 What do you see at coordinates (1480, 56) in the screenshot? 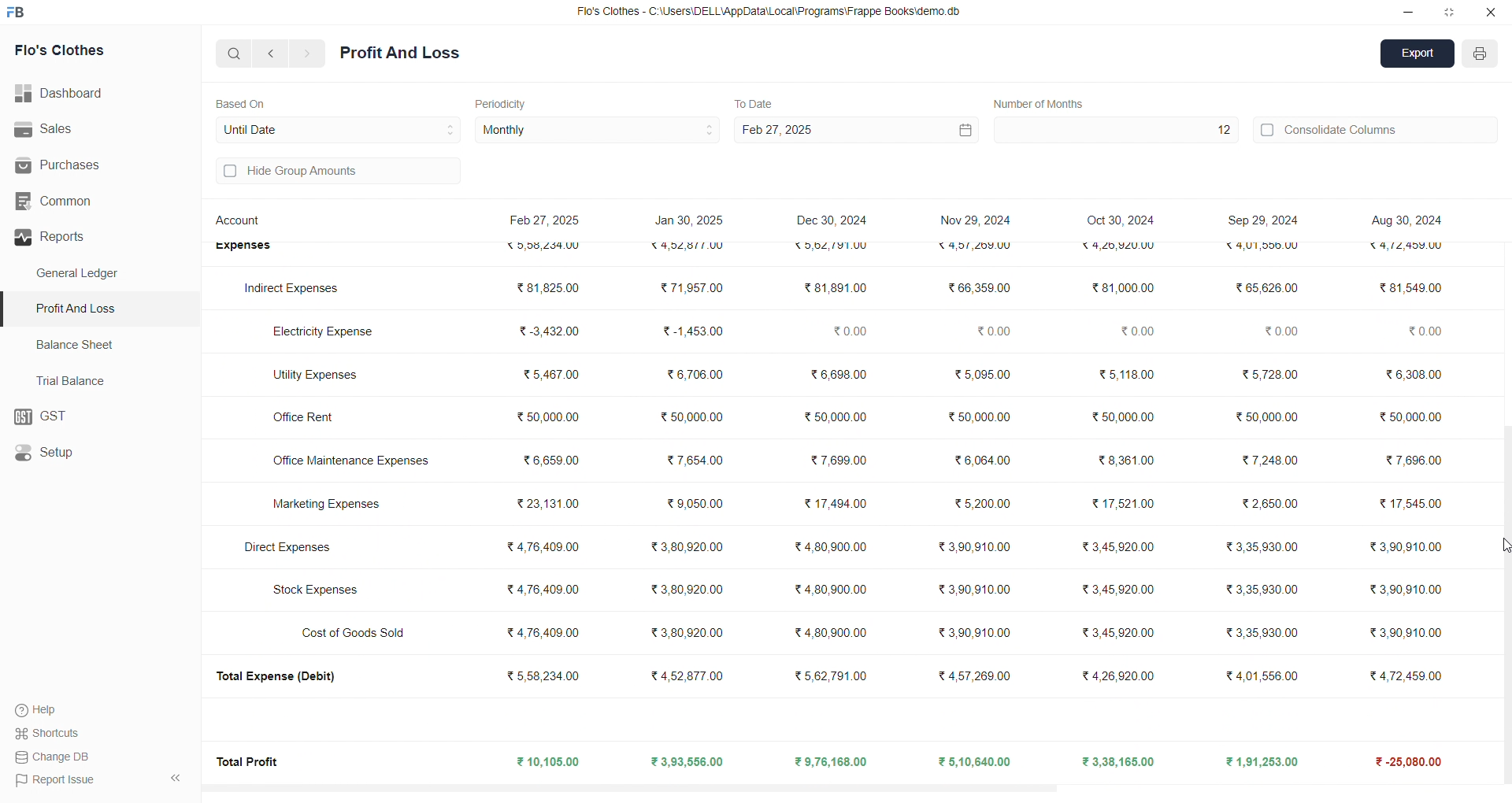
I see `PRINT` at bounding box center [1480, 56].